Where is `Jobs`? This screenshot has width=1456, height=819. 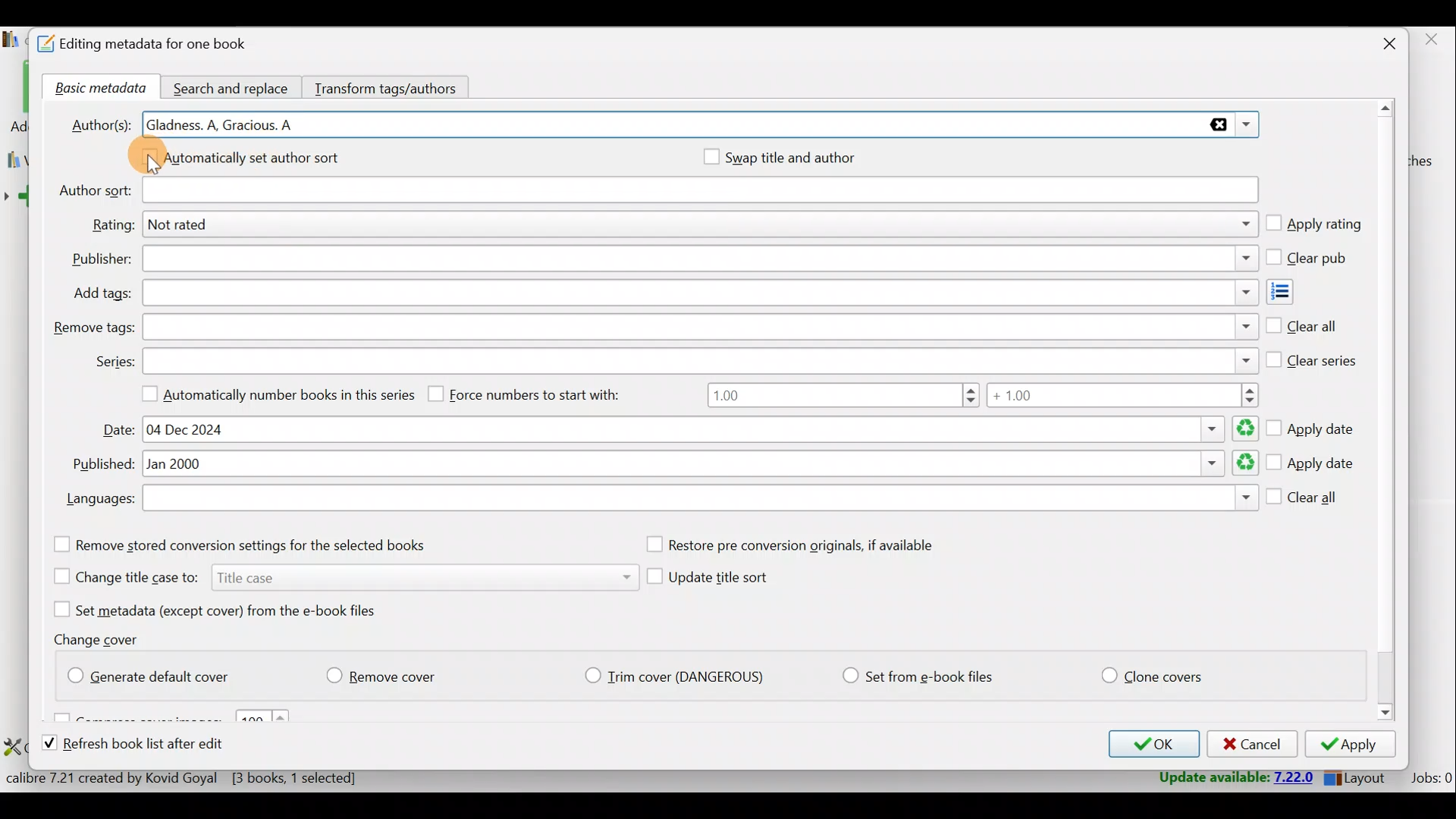 Jobs is located at coordinates (1430, 777).